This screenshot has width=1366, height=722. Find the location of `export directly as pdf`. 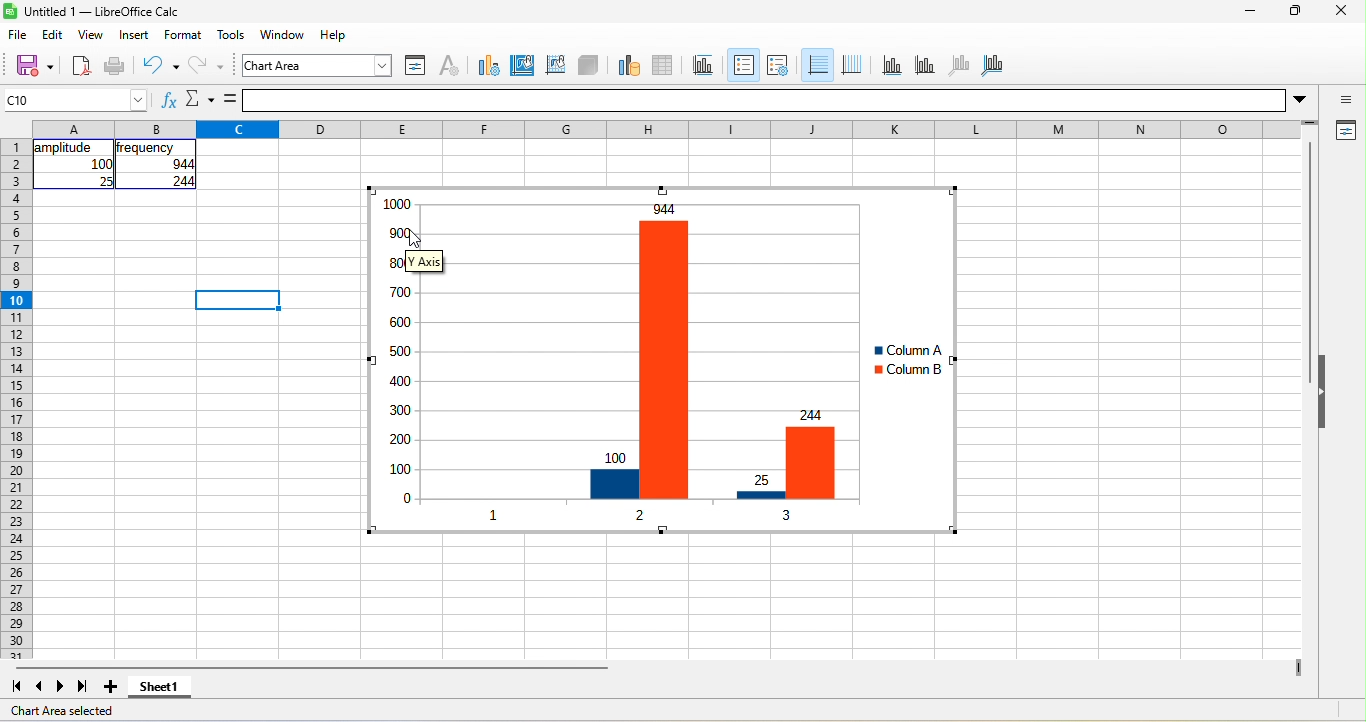

export directly as pdf is located at coordinates (81, 67).